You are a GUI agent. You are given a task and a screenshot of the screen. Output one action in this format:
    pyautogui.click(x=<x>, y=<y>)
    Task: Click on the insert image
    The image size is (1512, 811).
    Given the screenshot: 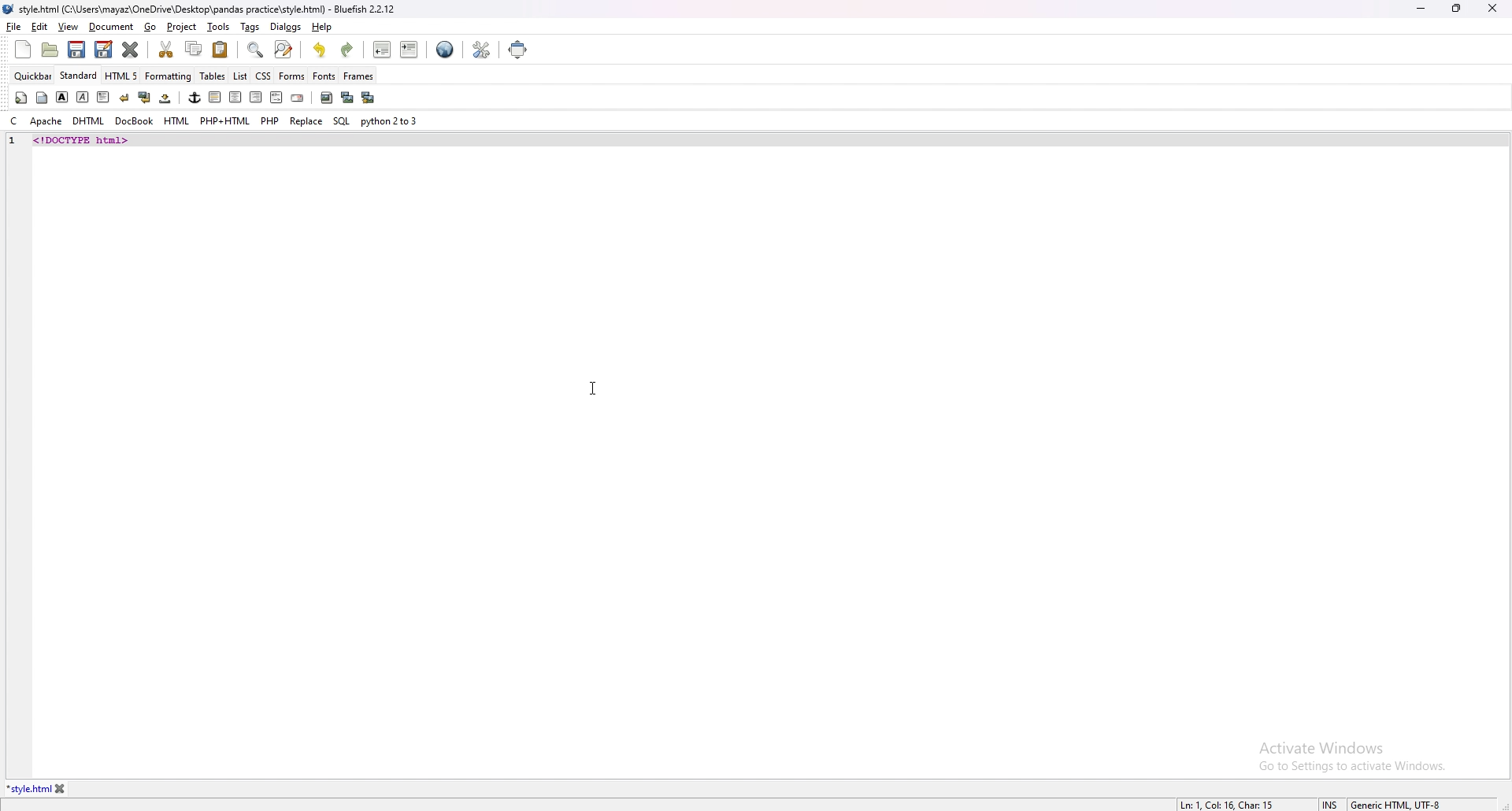 What is the action you would take?
    pyautogui.click(x=326, y=98)
    